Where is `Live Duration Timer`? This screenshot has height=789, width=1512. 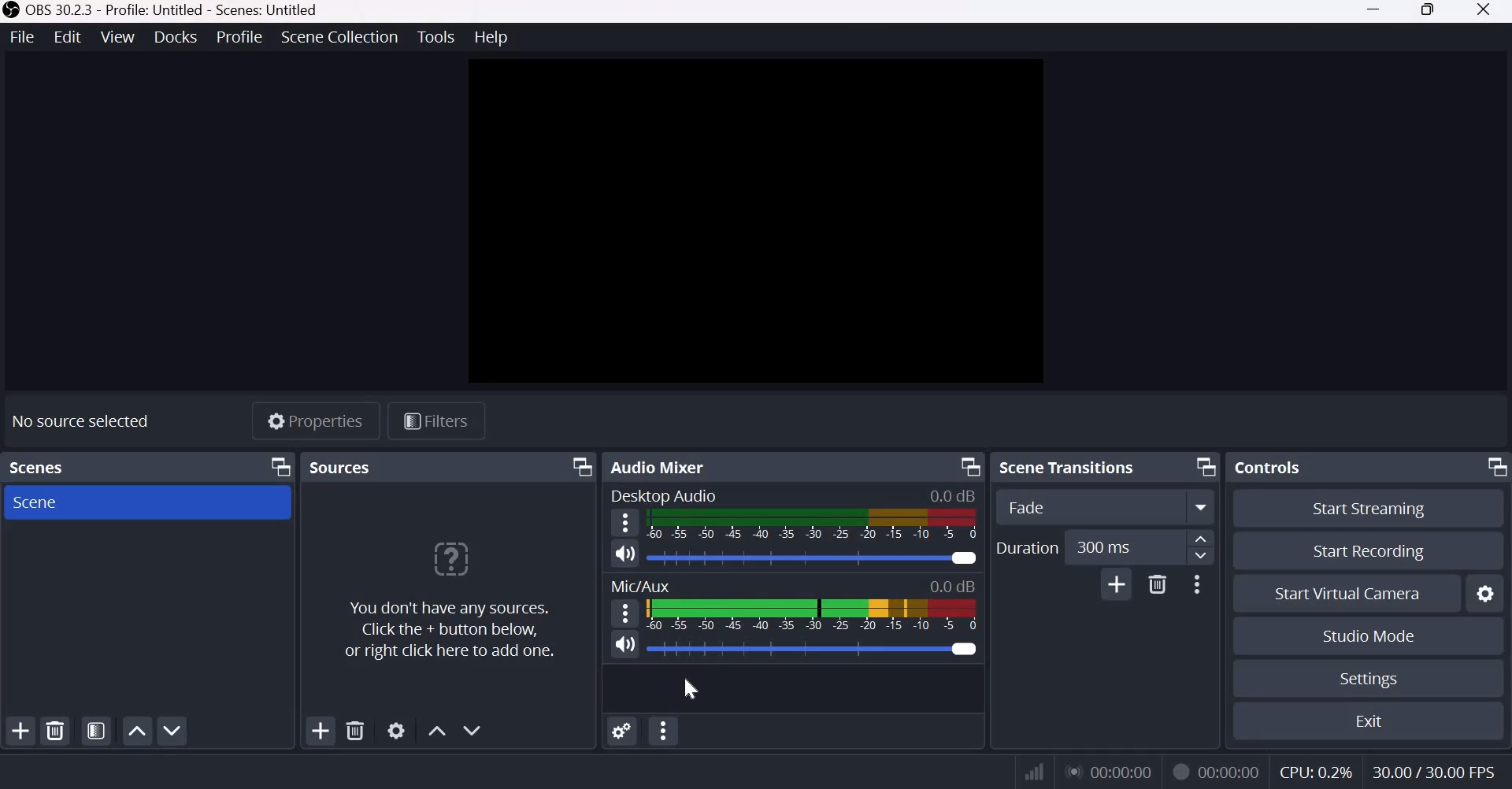
Live Duration Timer is located at coordinates (1108, 774).